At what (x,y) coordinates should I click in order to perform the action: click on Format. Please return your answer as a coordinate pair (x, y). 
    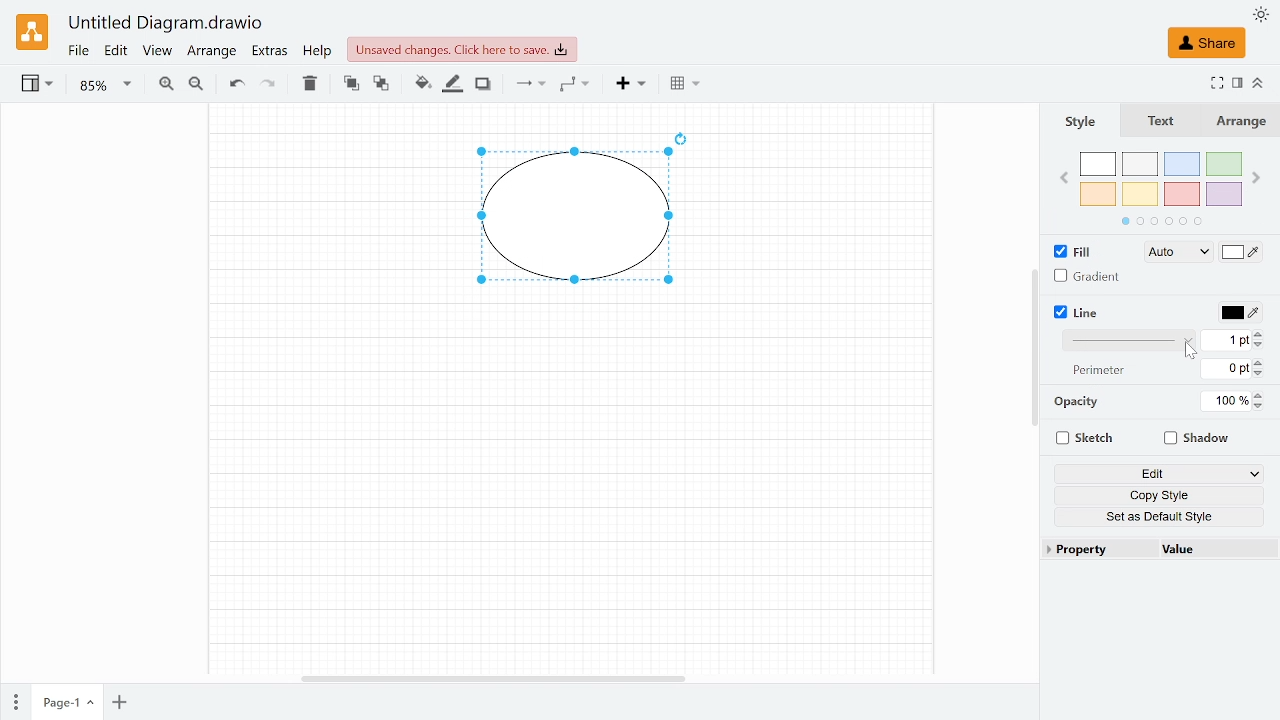
    Looking at the image, I should click on (1235, 83).